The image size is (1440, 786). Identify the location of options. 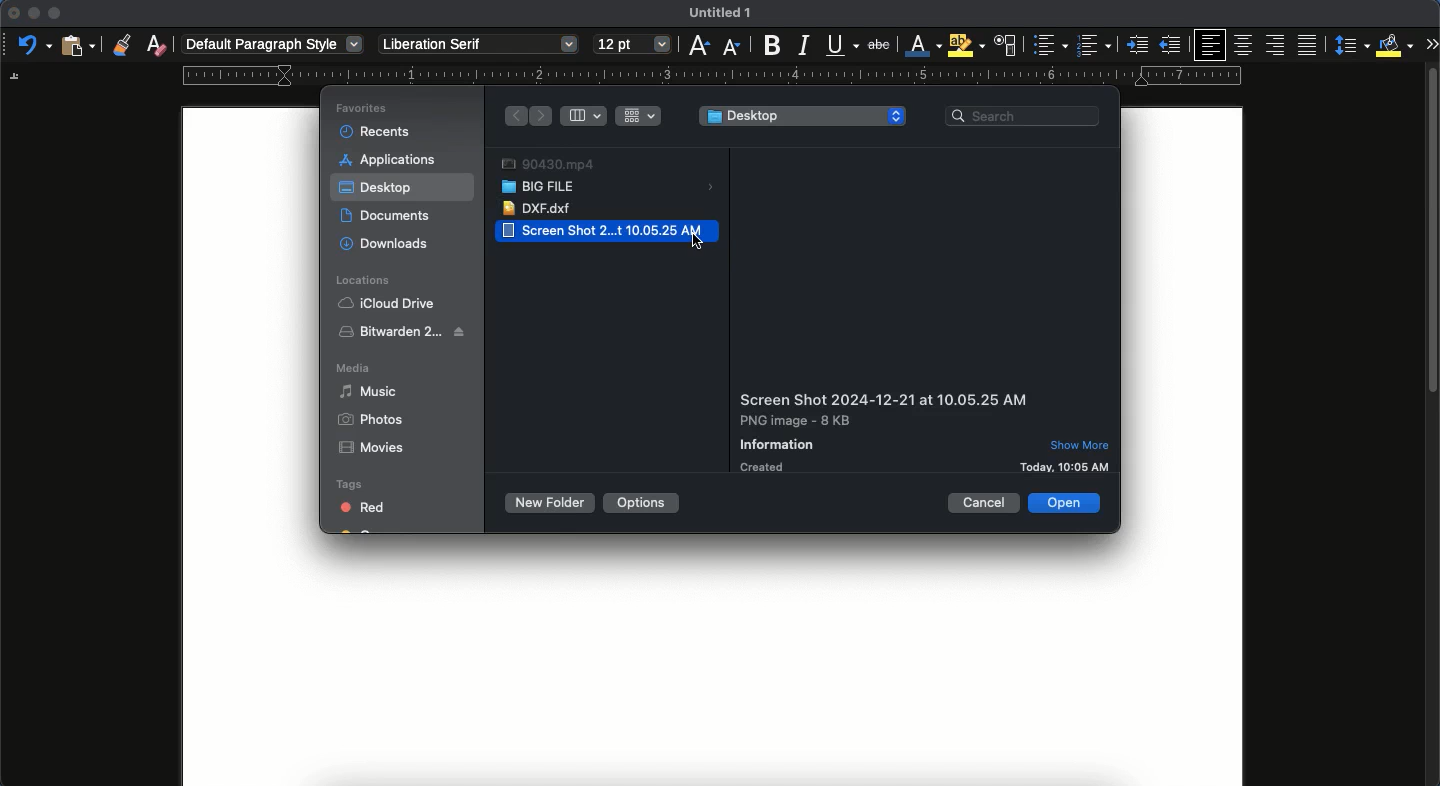
(645, 501).